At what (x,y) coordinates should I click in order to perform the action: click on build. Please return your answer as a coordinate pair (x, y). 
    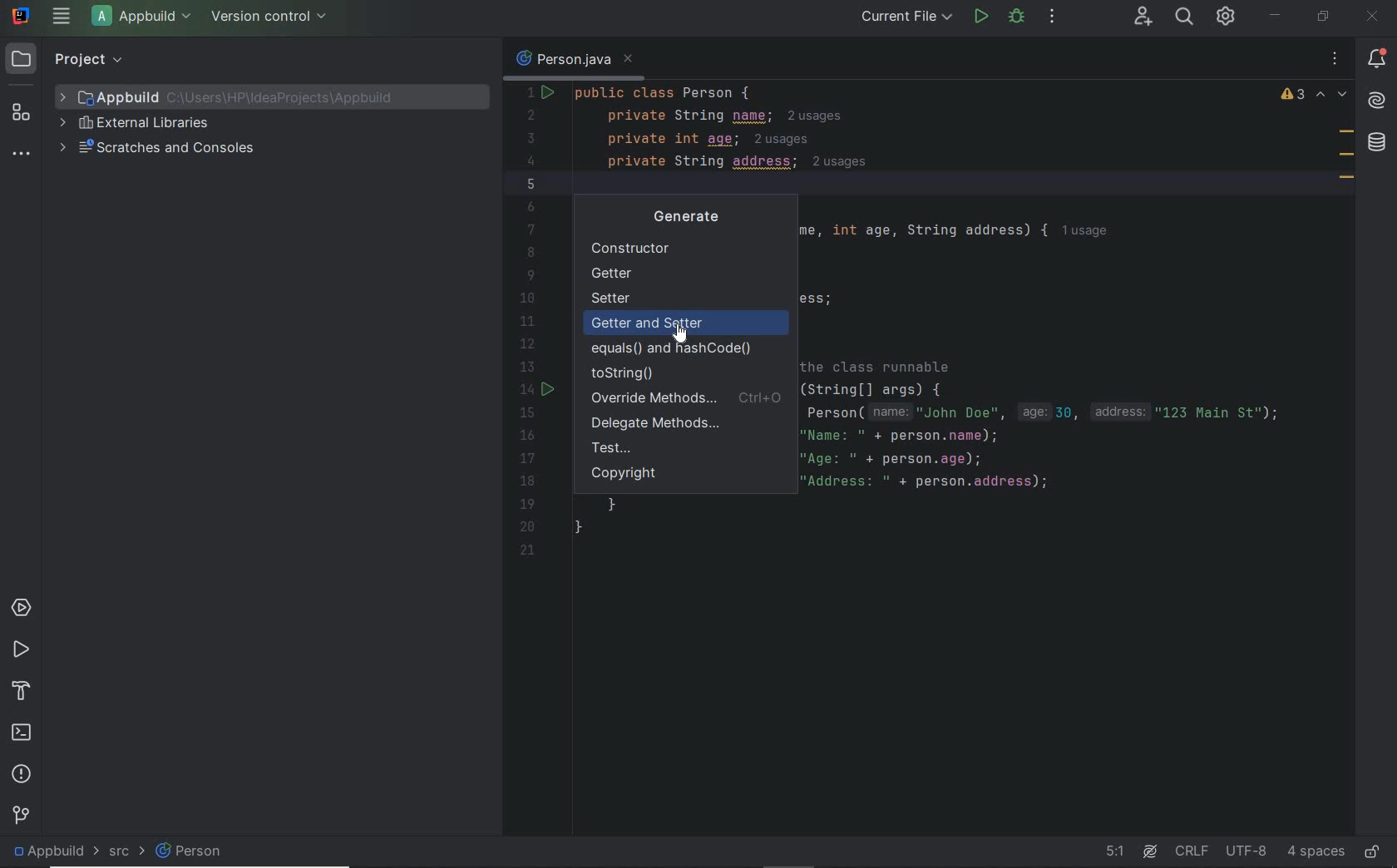
    Looking at the image, I should click on (22, 688).